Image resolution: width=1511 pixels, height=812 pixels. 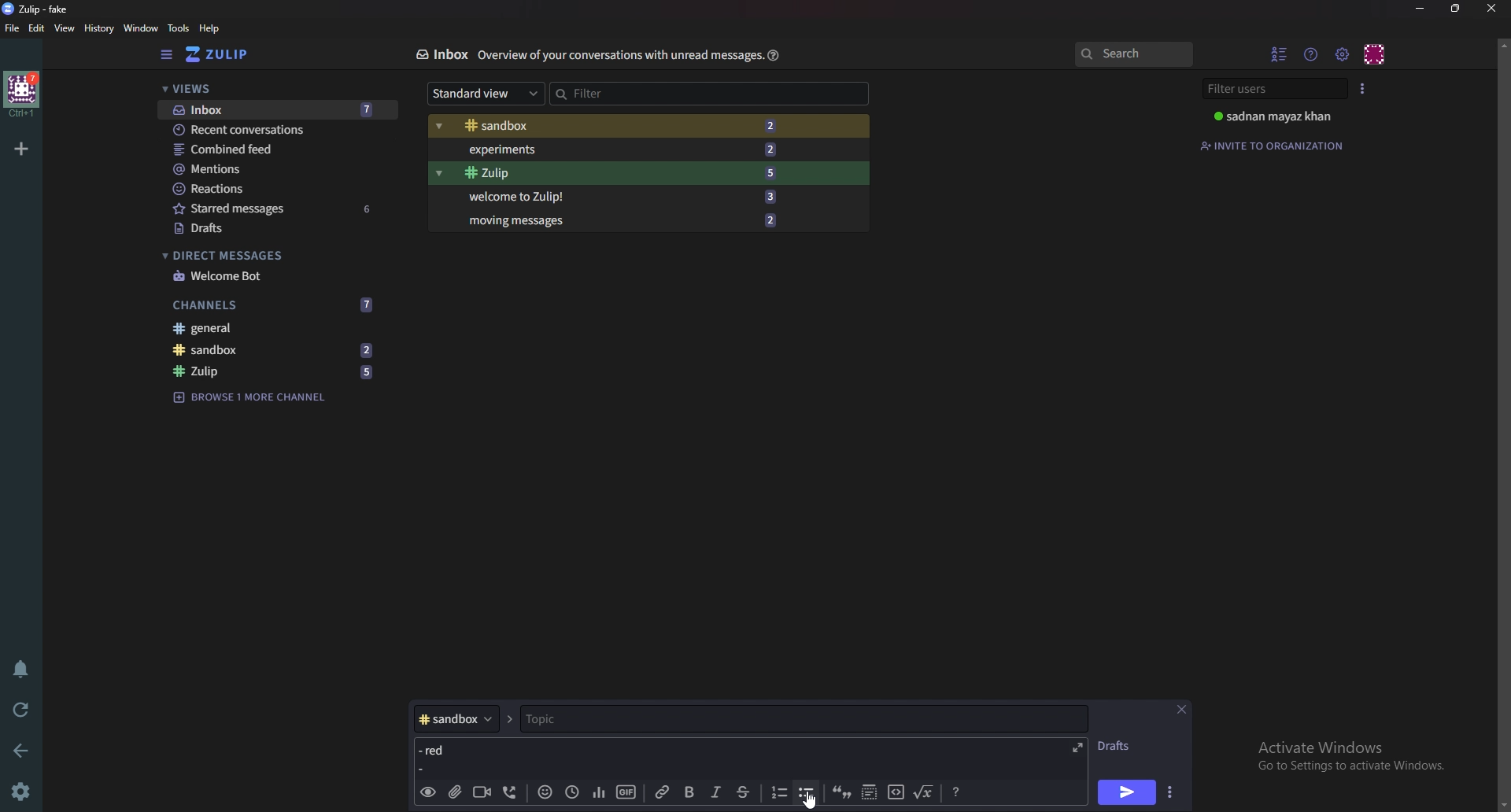 What do you see at coordinates (618, 195) in the screenshot?
I see `Welcome to zulip` at bounding box center [618, 195].